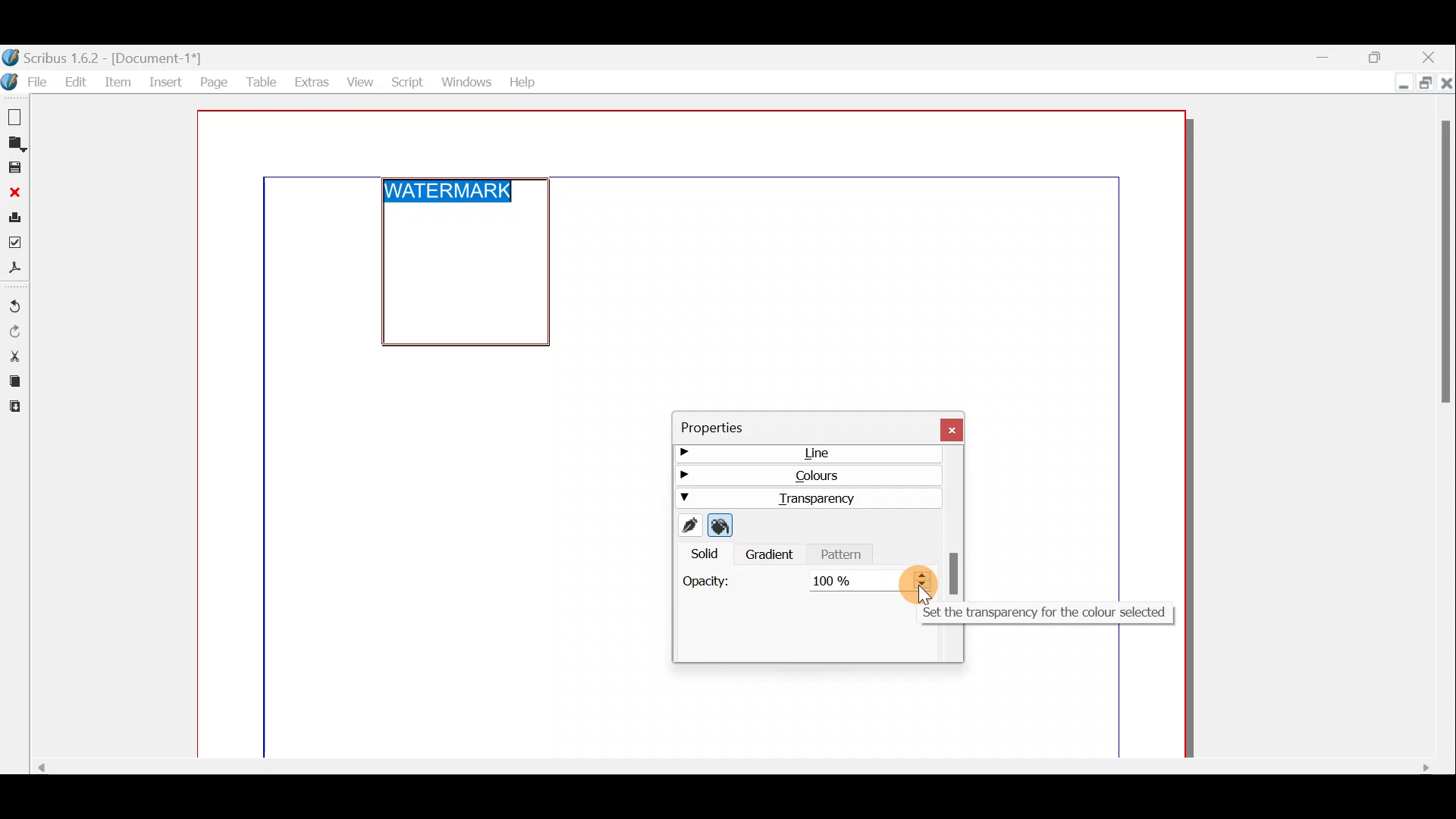  Describe the element at coordinates (1432, 55) in the screenshot. I see `Close` at that location.